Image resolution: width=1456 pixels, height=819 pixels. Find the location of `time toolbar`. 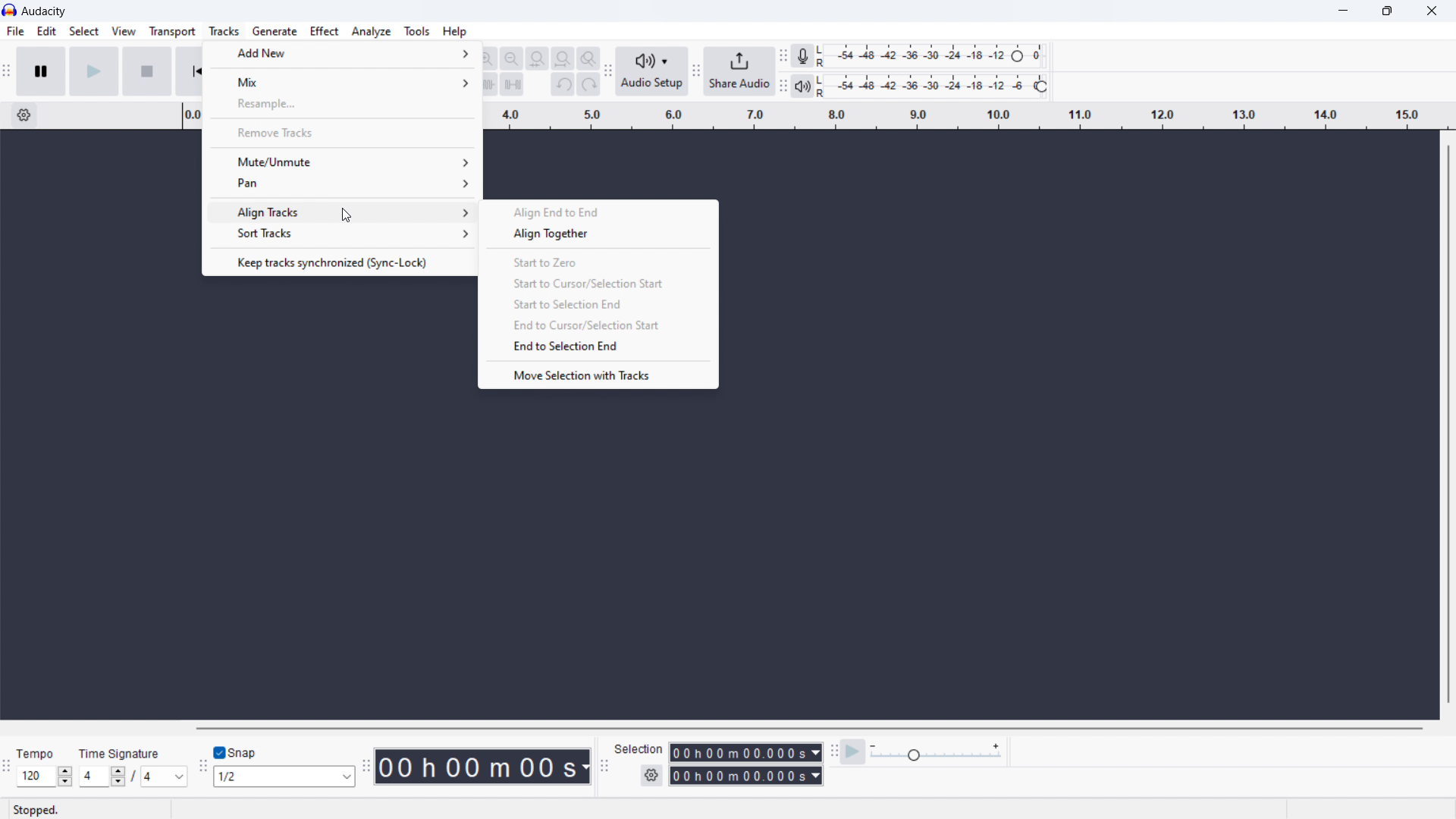

time toolbar is located at coordinates (366, 762).